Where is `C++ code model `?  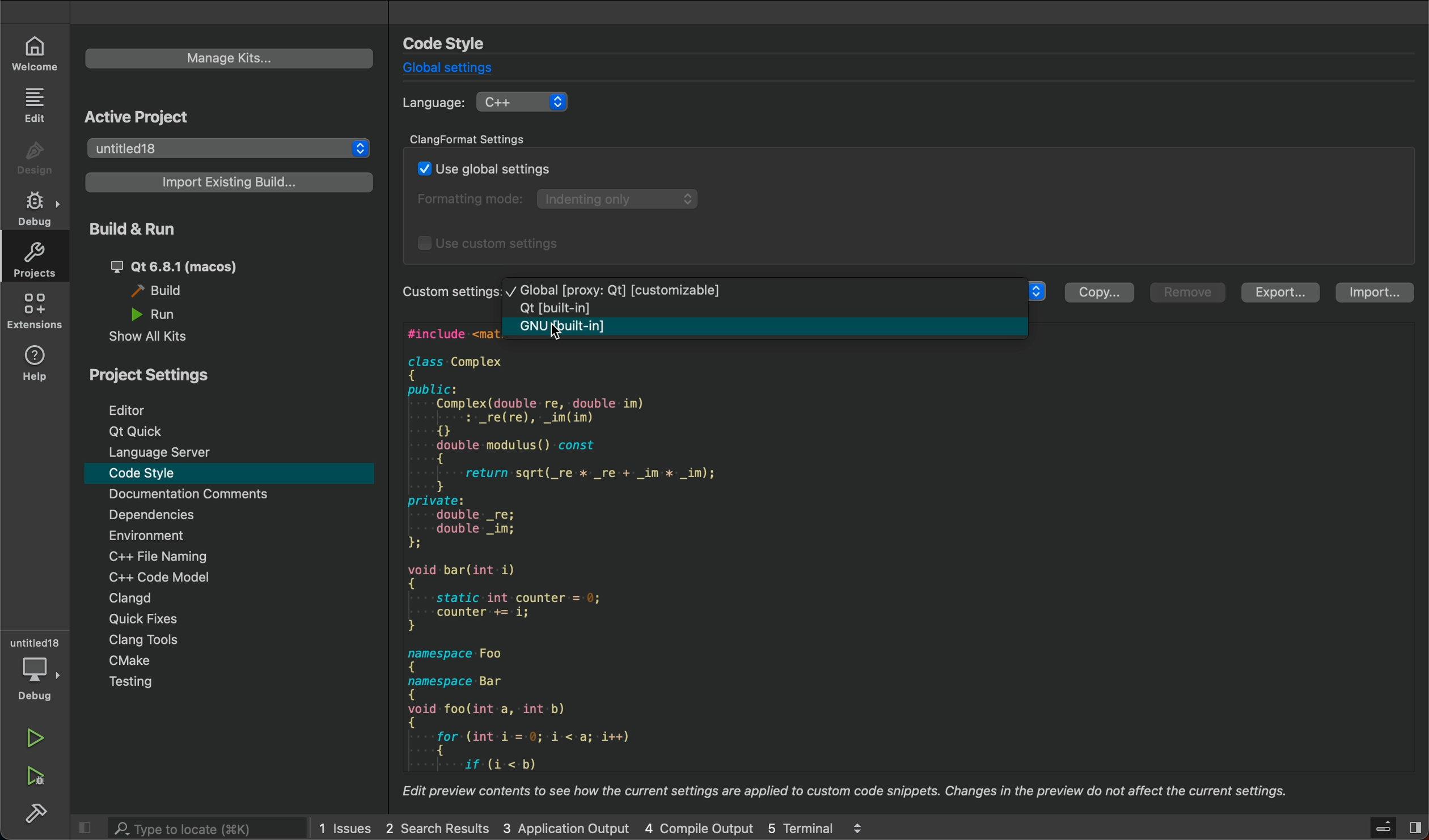
C++ code model  is located at coordinates (183, 580).